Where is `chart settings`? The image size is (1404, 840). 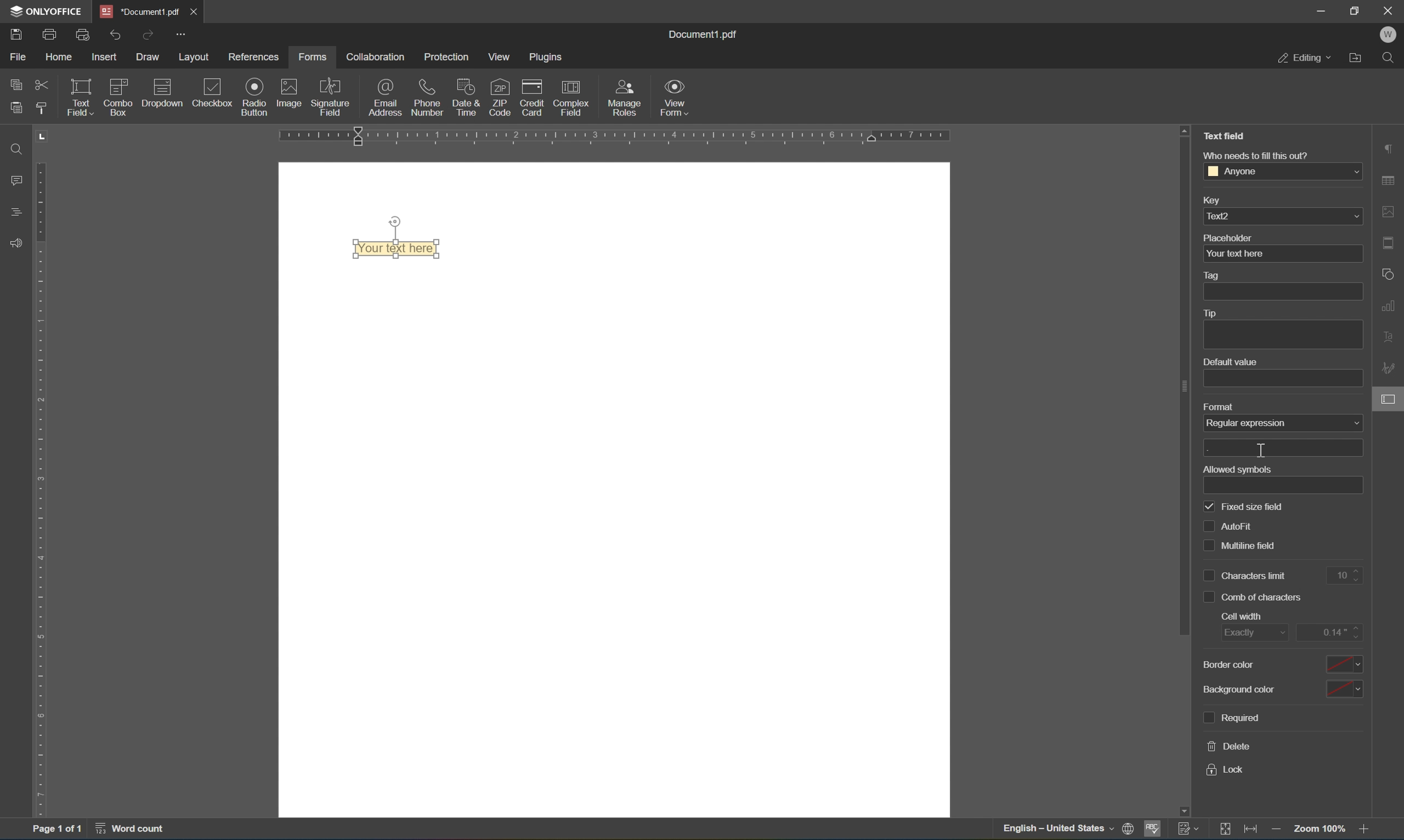
chart settings is located at coordinates (1389, 307).